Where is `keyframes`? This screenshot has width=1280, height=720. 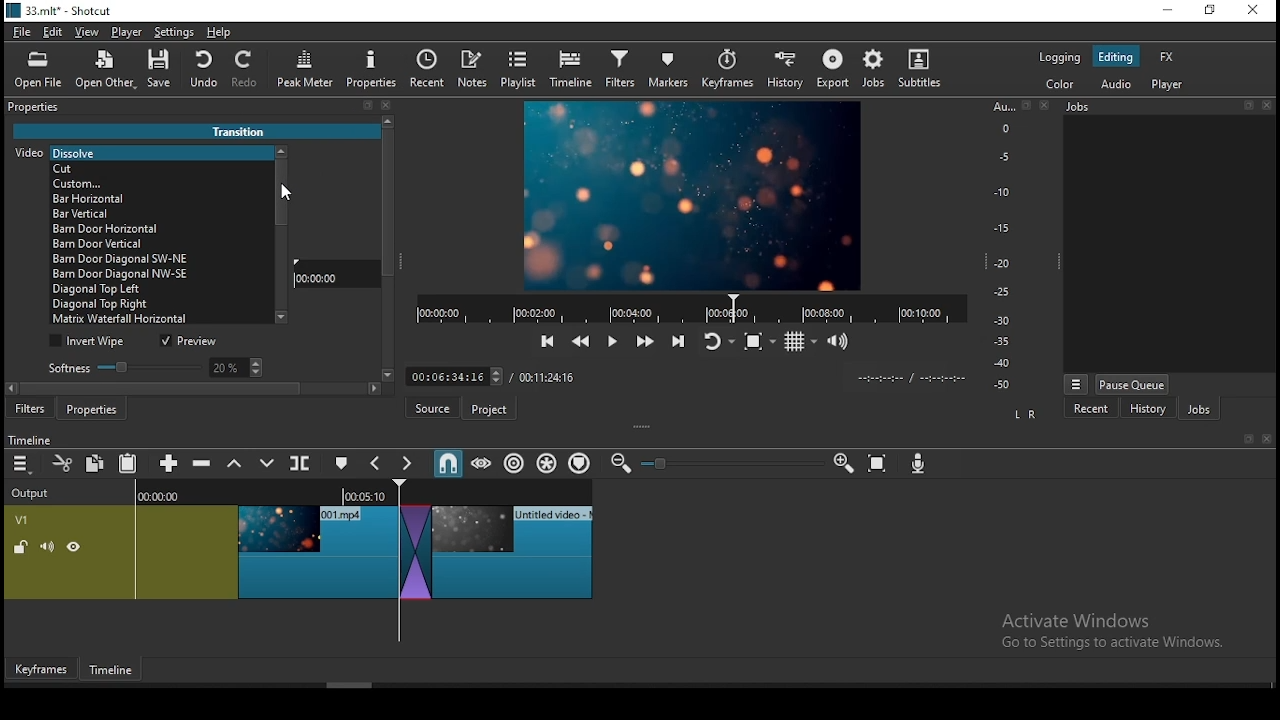 keyframes is located at coordinates (727, 70).